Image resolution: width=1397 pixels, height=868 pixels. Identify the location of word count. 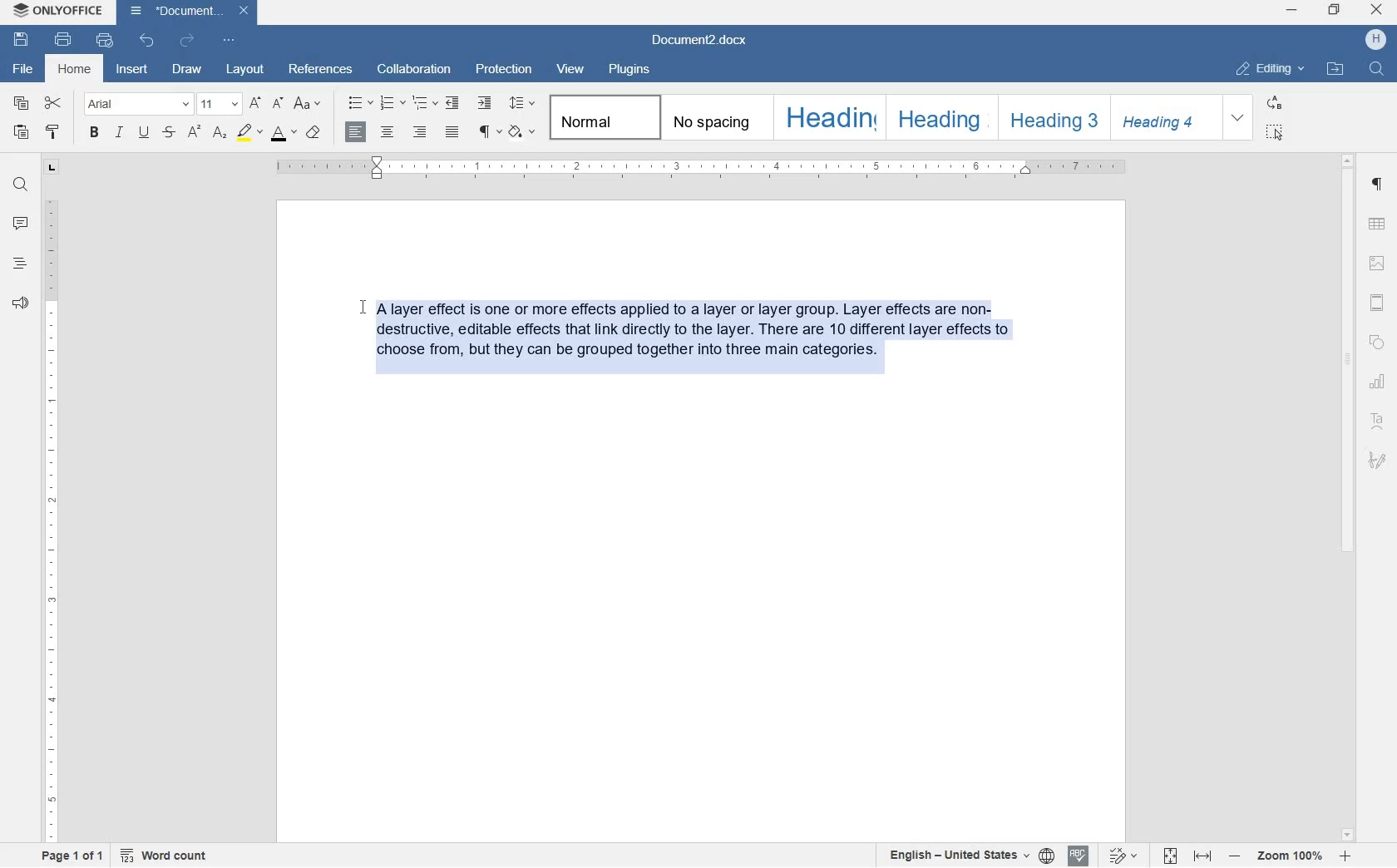
(164, 856).